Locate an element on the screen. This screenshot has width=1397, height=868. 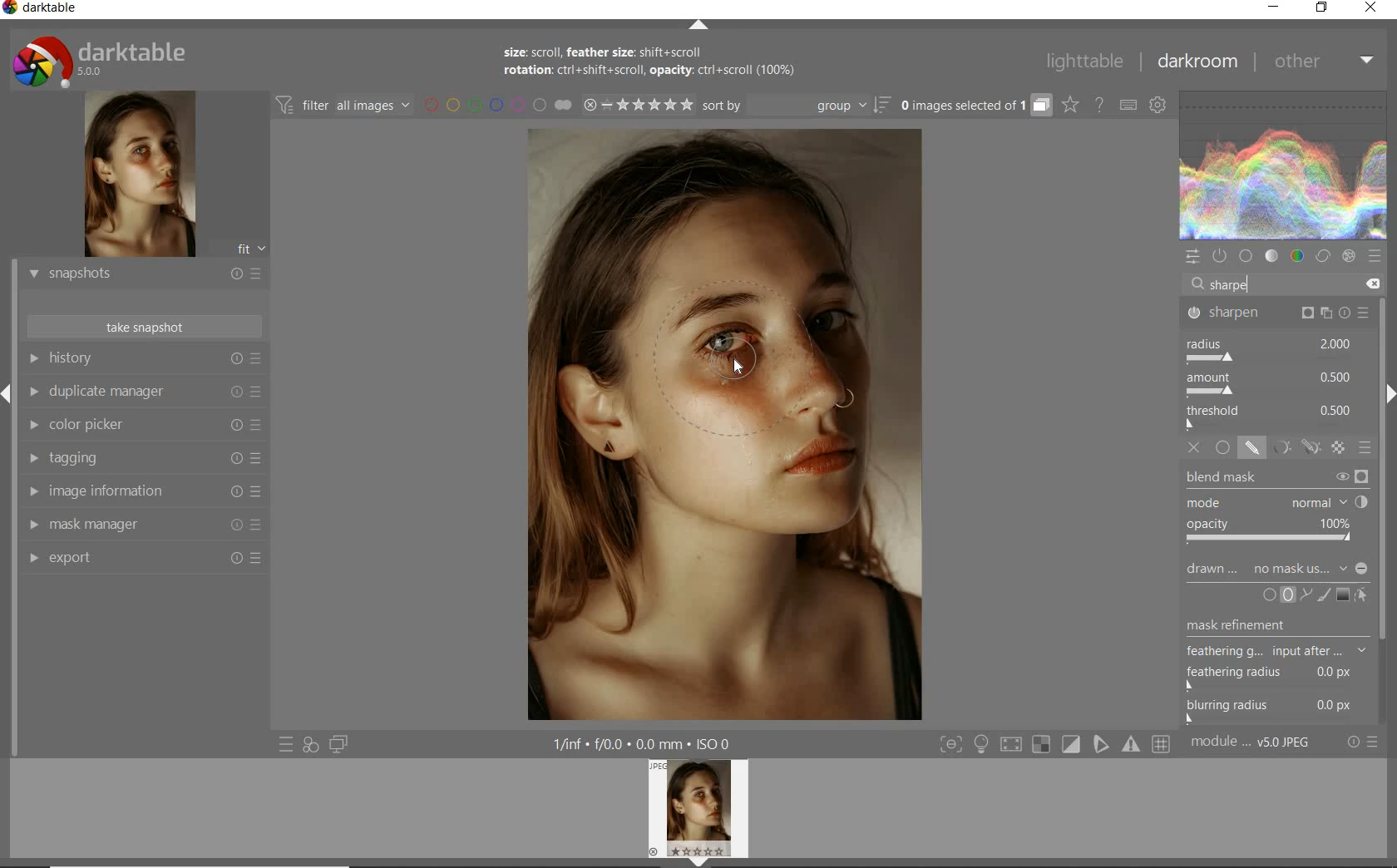
range rating of selected images is located at coordinates (637, 106).